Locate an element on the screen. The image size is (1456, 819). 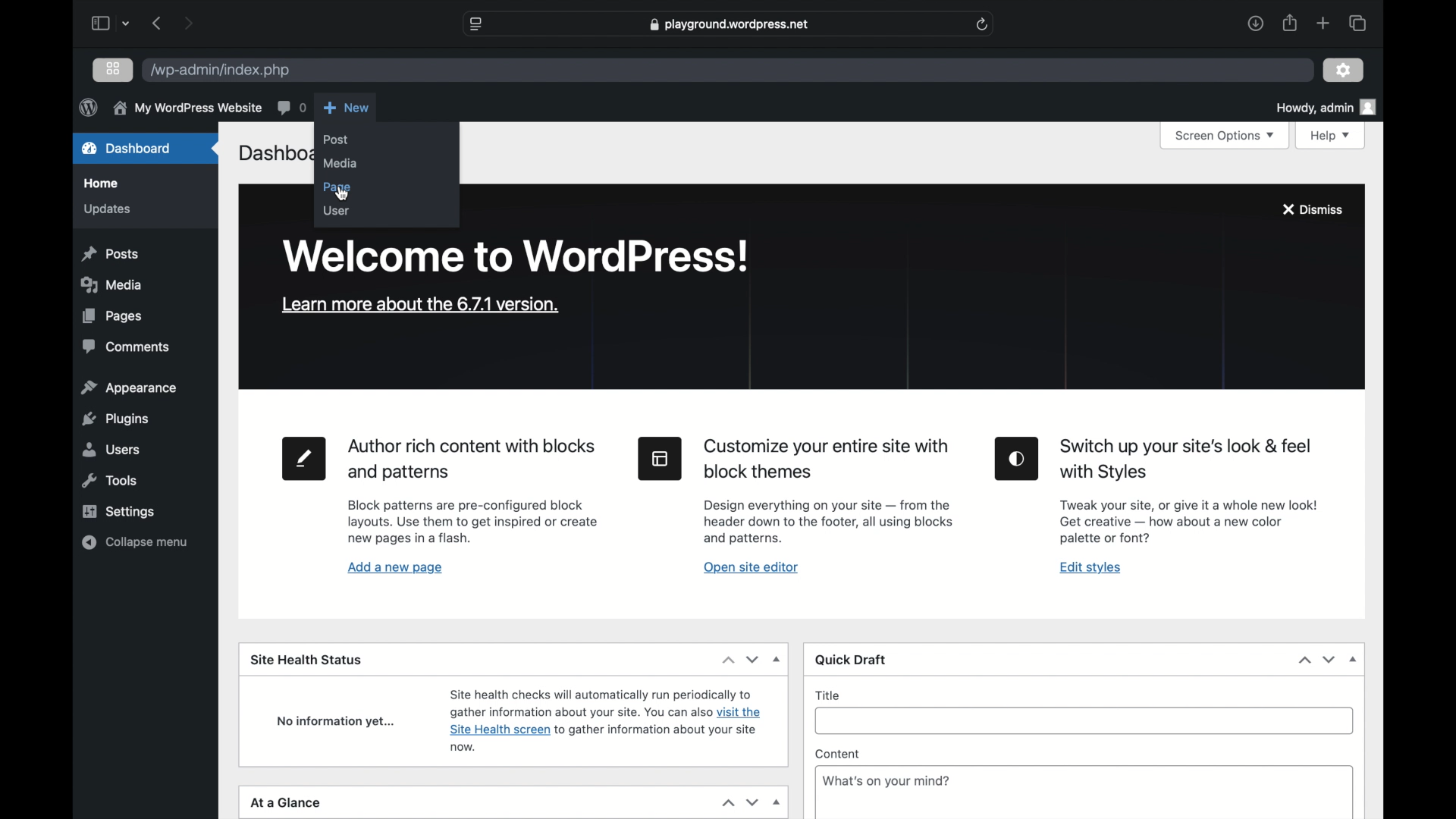
new is located at coordinates (347, 108).